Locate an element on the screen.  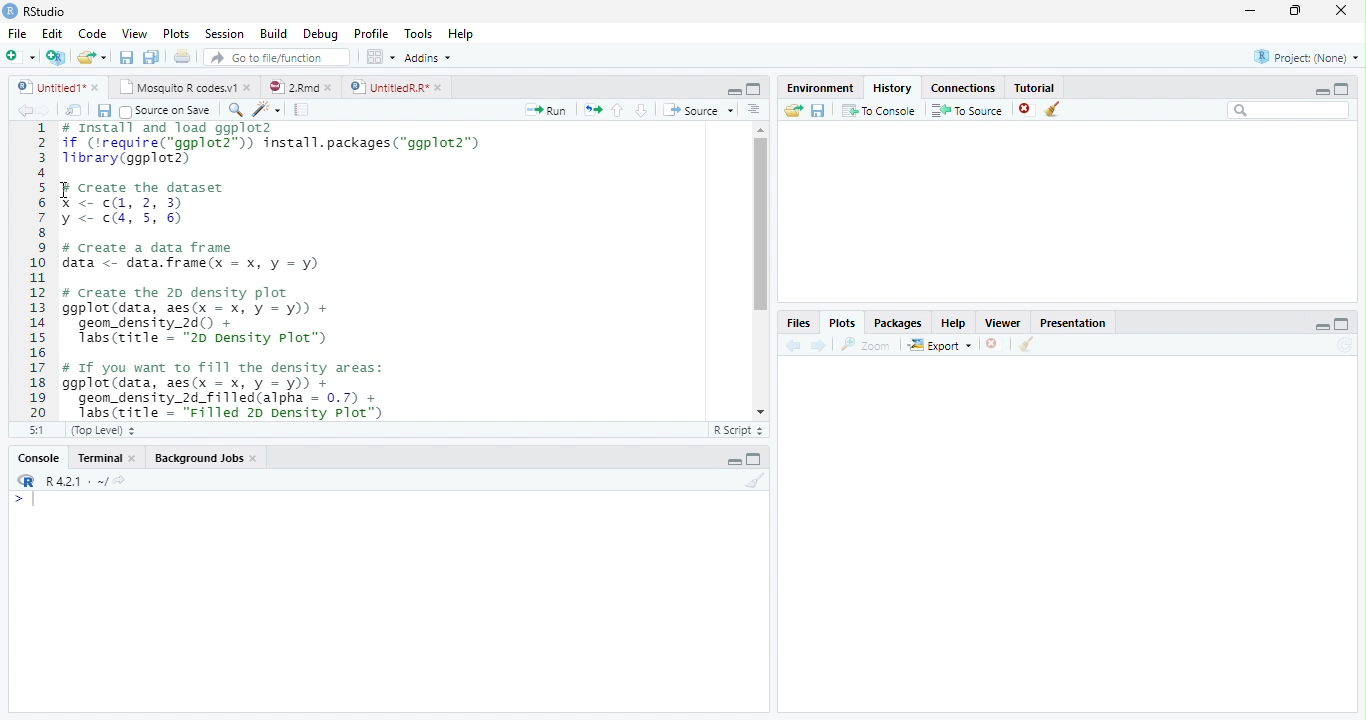
Search is located at coordinates (1289, 110).